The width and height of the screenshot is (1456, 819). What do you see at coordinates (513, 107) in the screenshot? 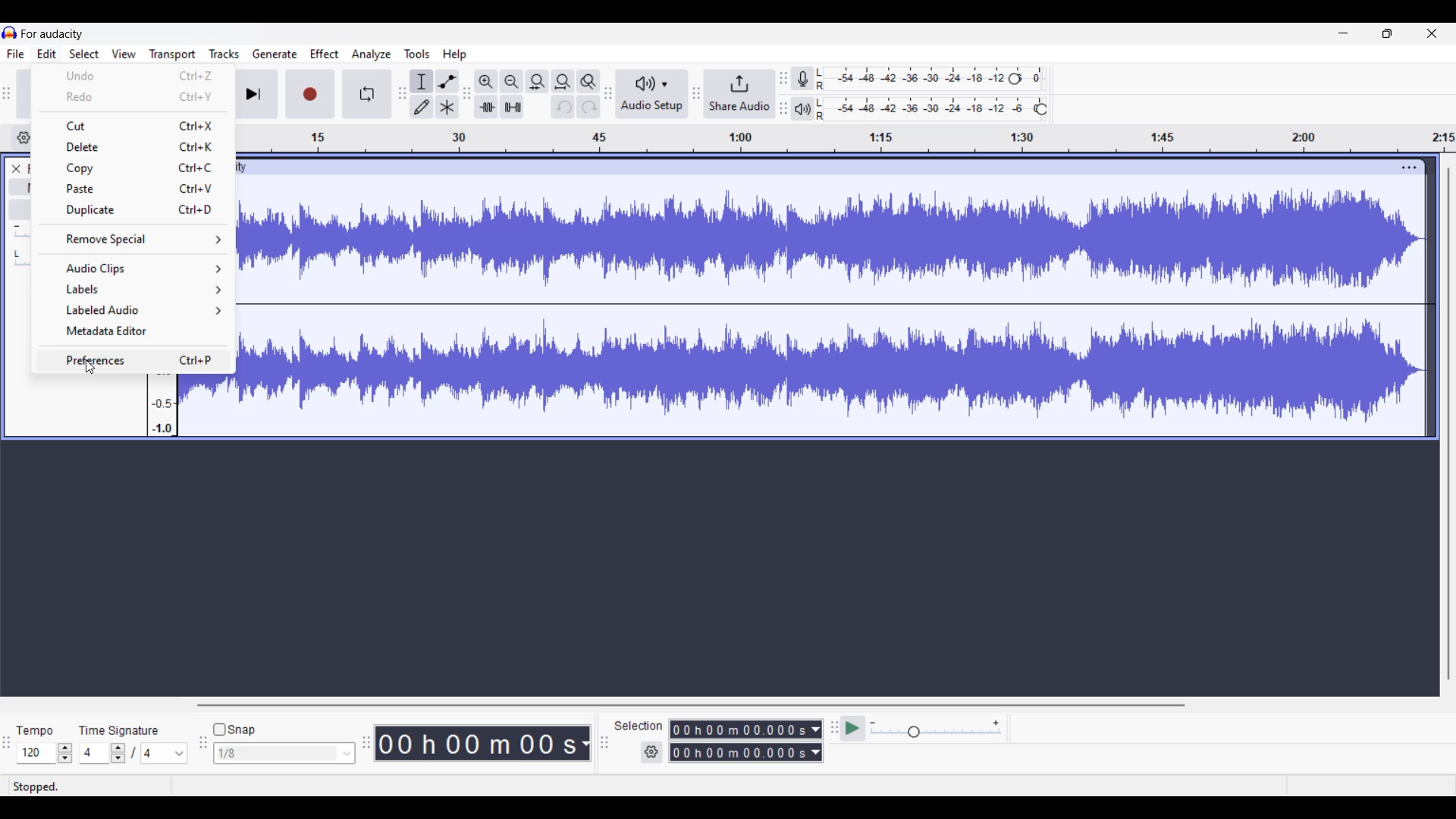
I see `Silence audio selection` at bounding box center [513, 107].